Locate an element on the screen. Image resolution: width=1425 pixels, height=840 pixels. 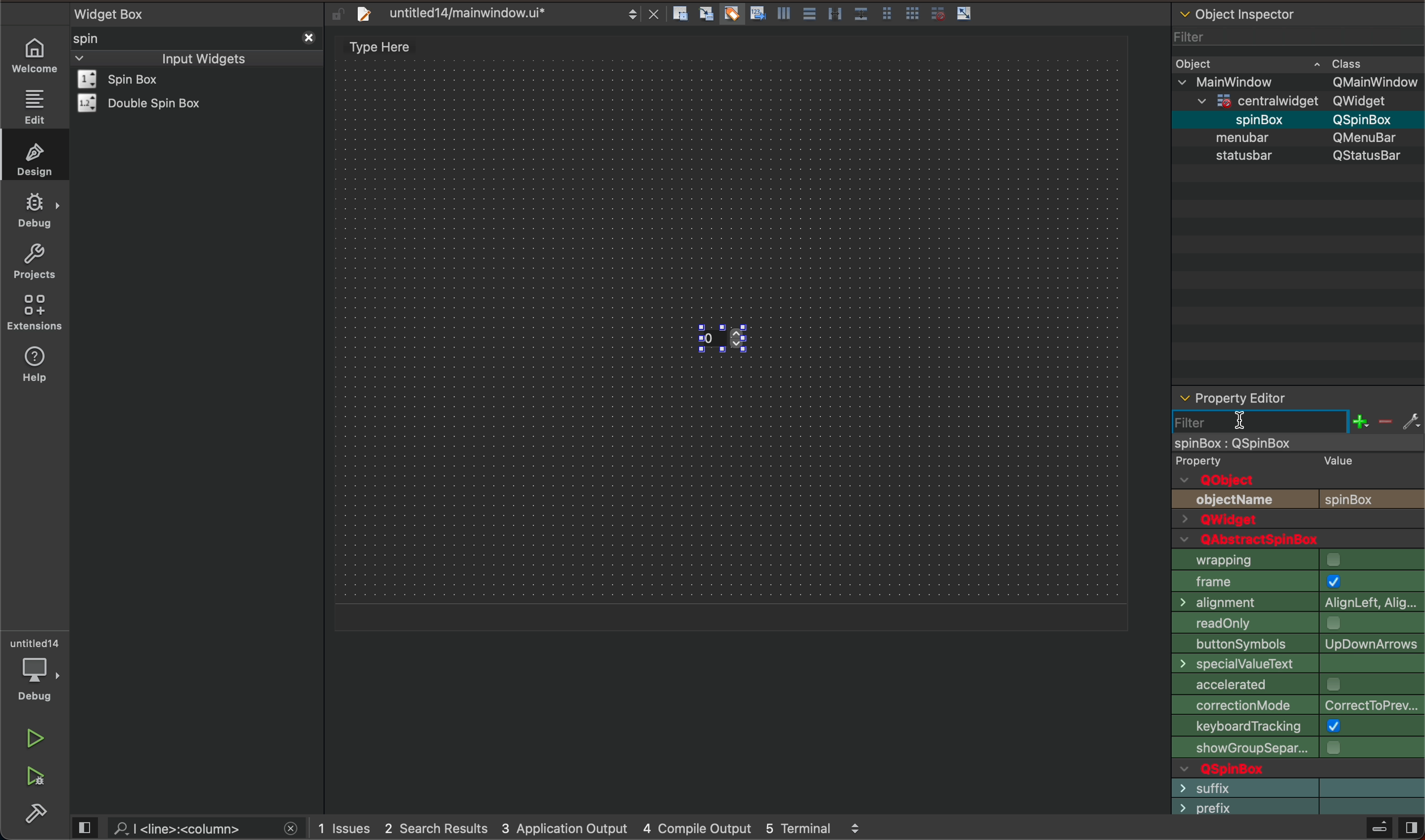
text is located at coordinates (1256, 766).